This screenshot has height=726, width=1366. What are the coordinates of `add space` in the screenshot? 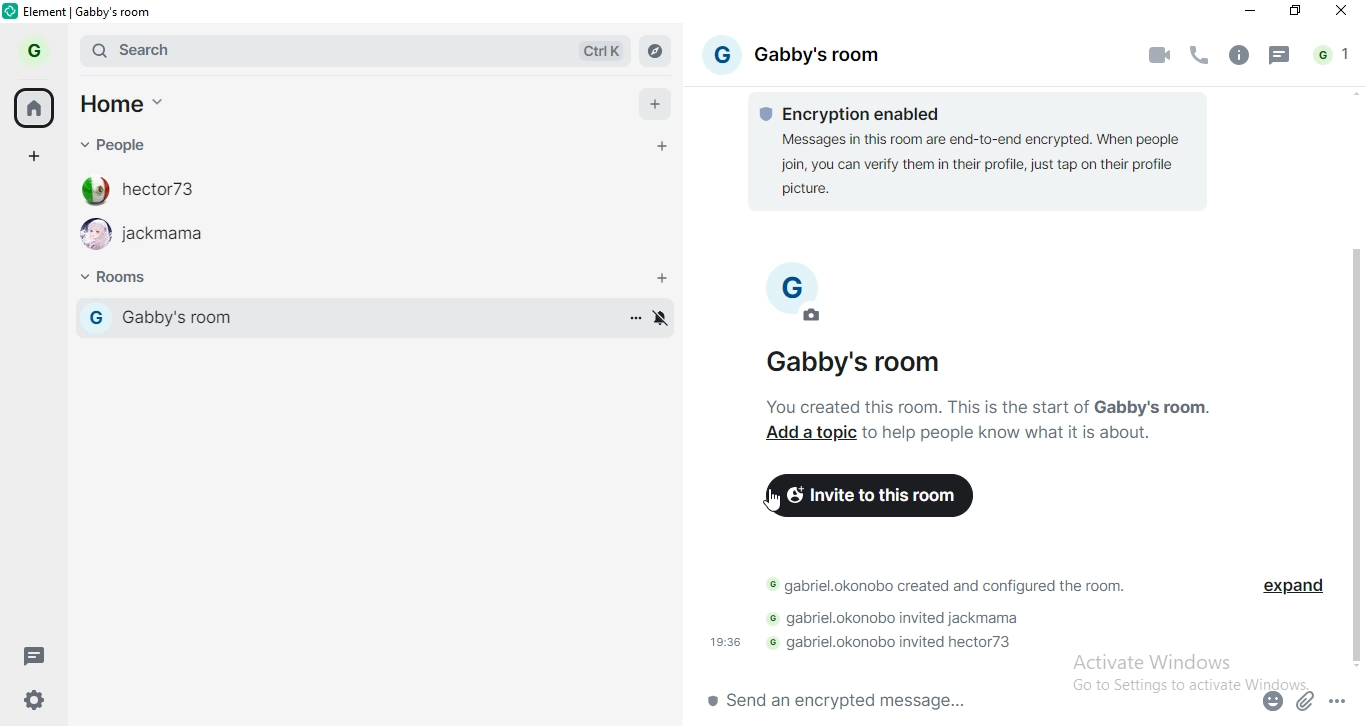 It's located at (34, 156).